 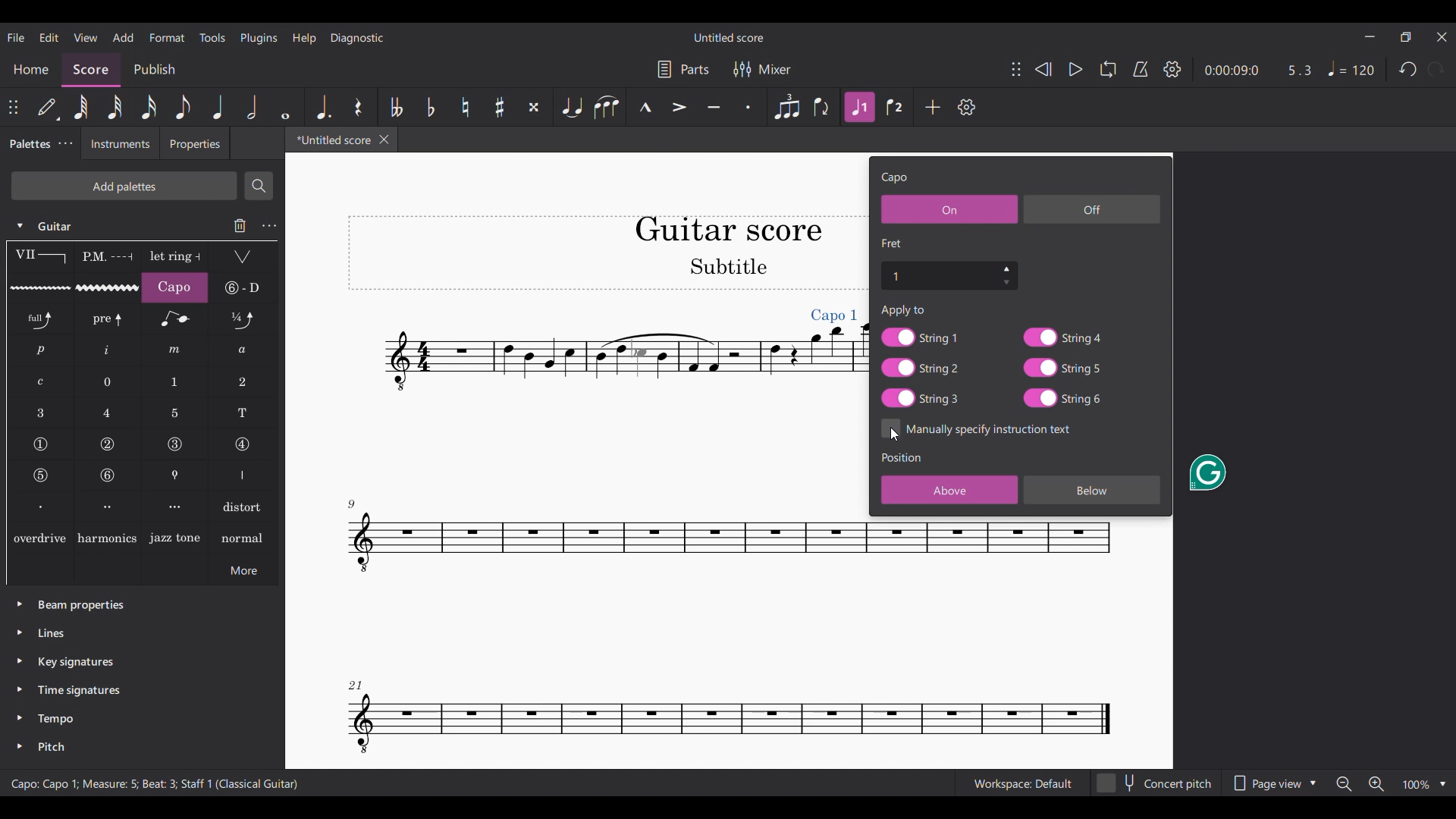 What do you see at coordinates (322, 106) in the screenshot?
I see `Augmentation dot` at bounding box center [322, 106].